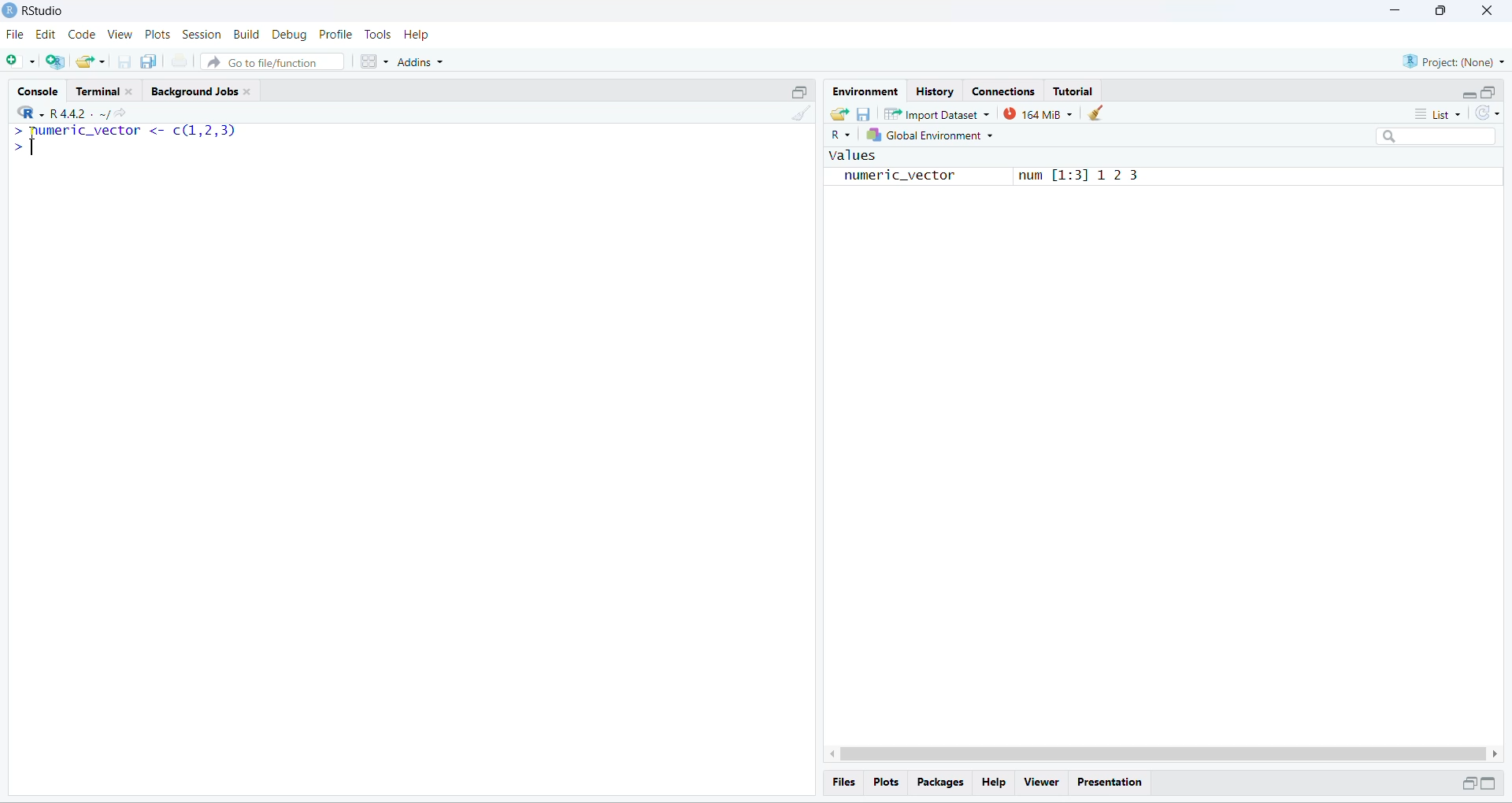  What do you see at coordinates (159, 35) in the screenshot?
I see `Plots` at bounding box center [159, 35].